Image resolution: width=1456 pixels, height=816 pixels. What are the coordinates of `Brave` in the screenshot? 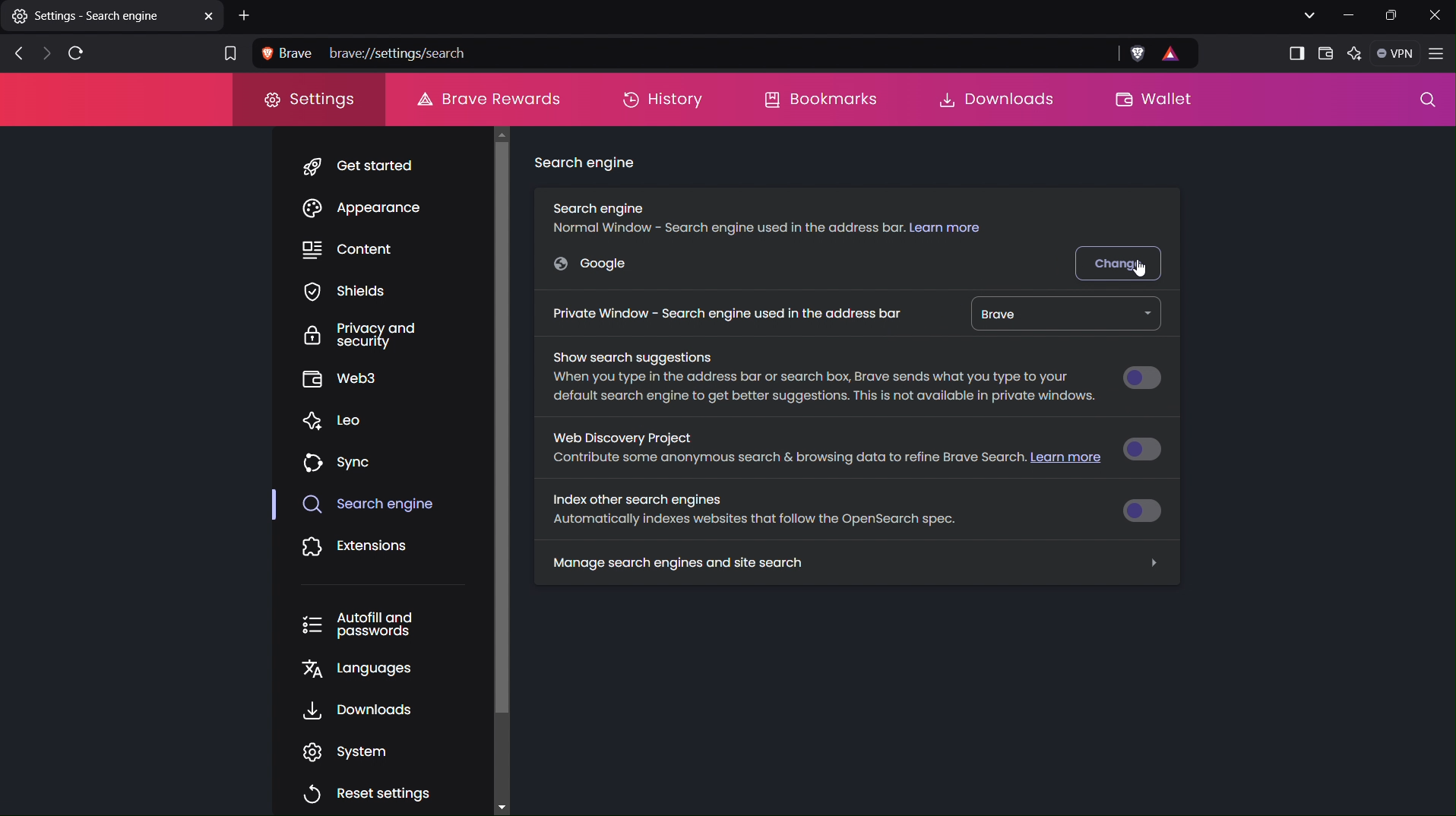 It's located at (1062, 314).